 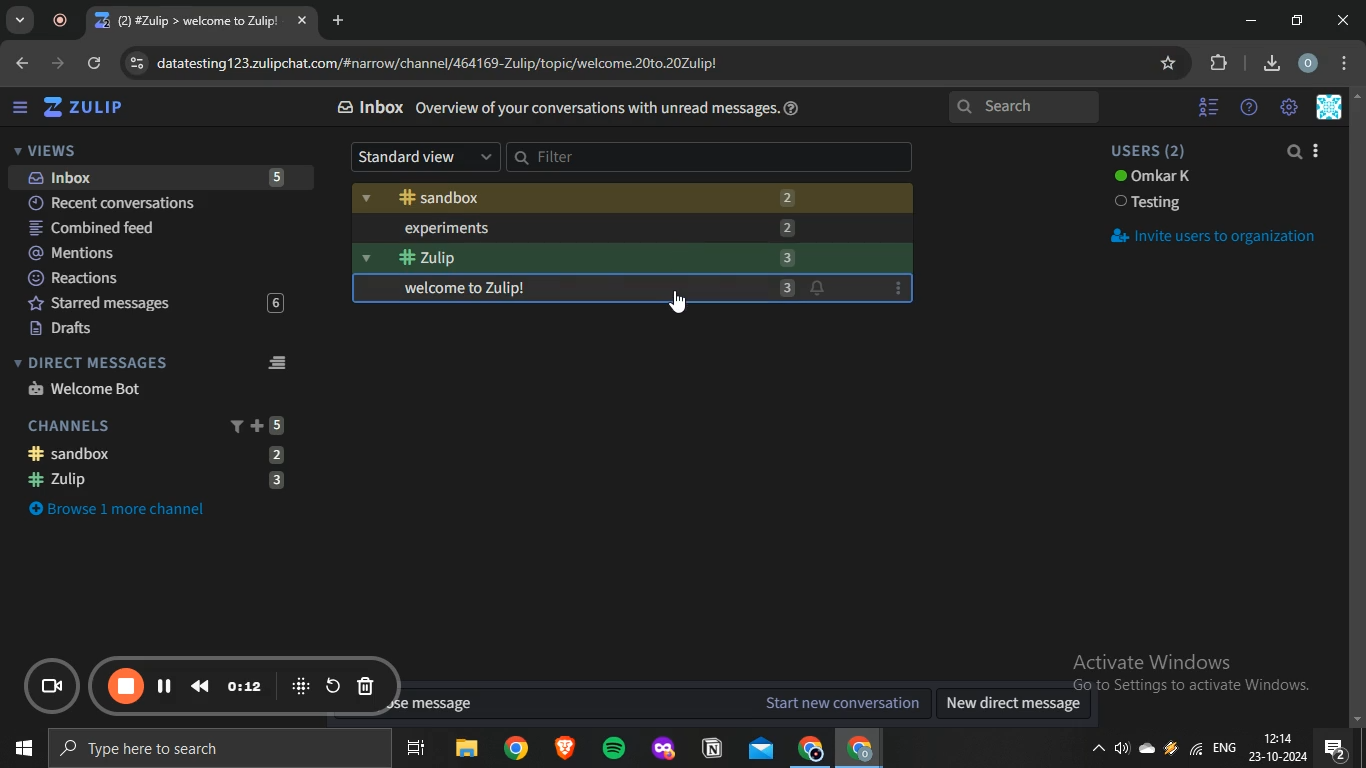 I want to click on show hidden icons, so click(x=1097, y=754).